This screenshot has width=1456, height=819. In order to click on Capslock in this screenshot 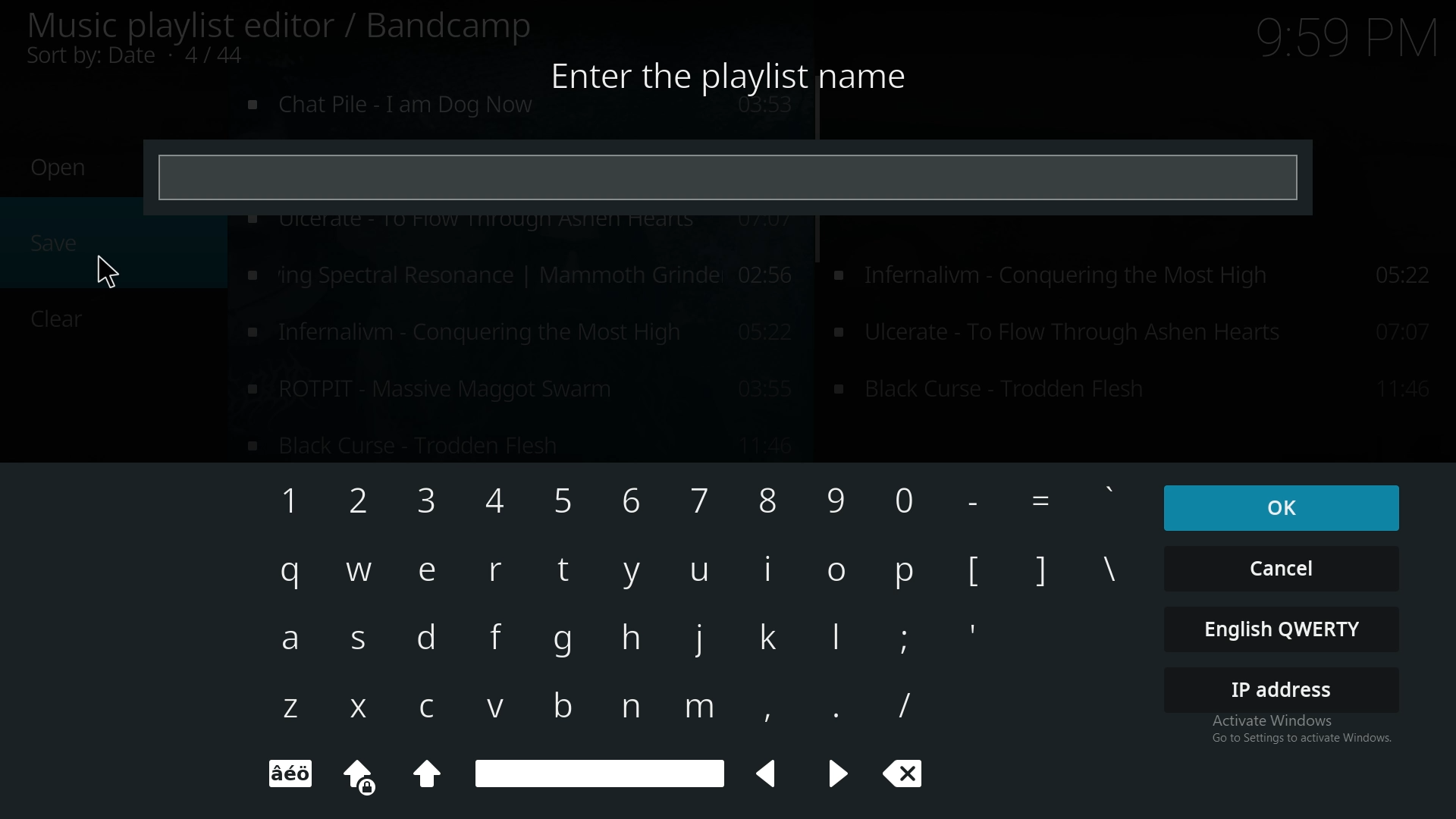, I will do `click(428, 777)`.